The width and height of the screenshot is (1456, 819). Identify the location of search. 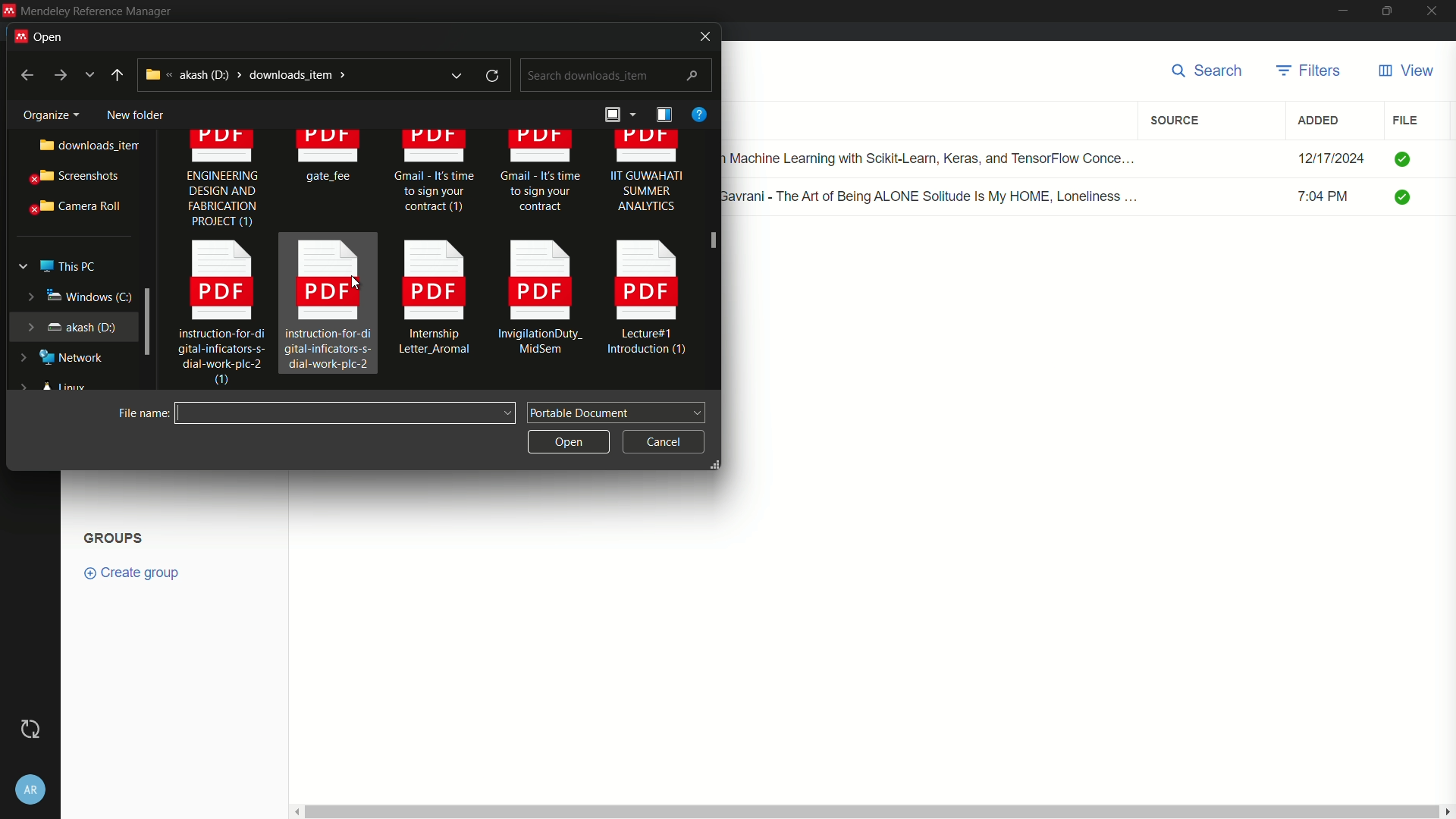
(1212, 72).